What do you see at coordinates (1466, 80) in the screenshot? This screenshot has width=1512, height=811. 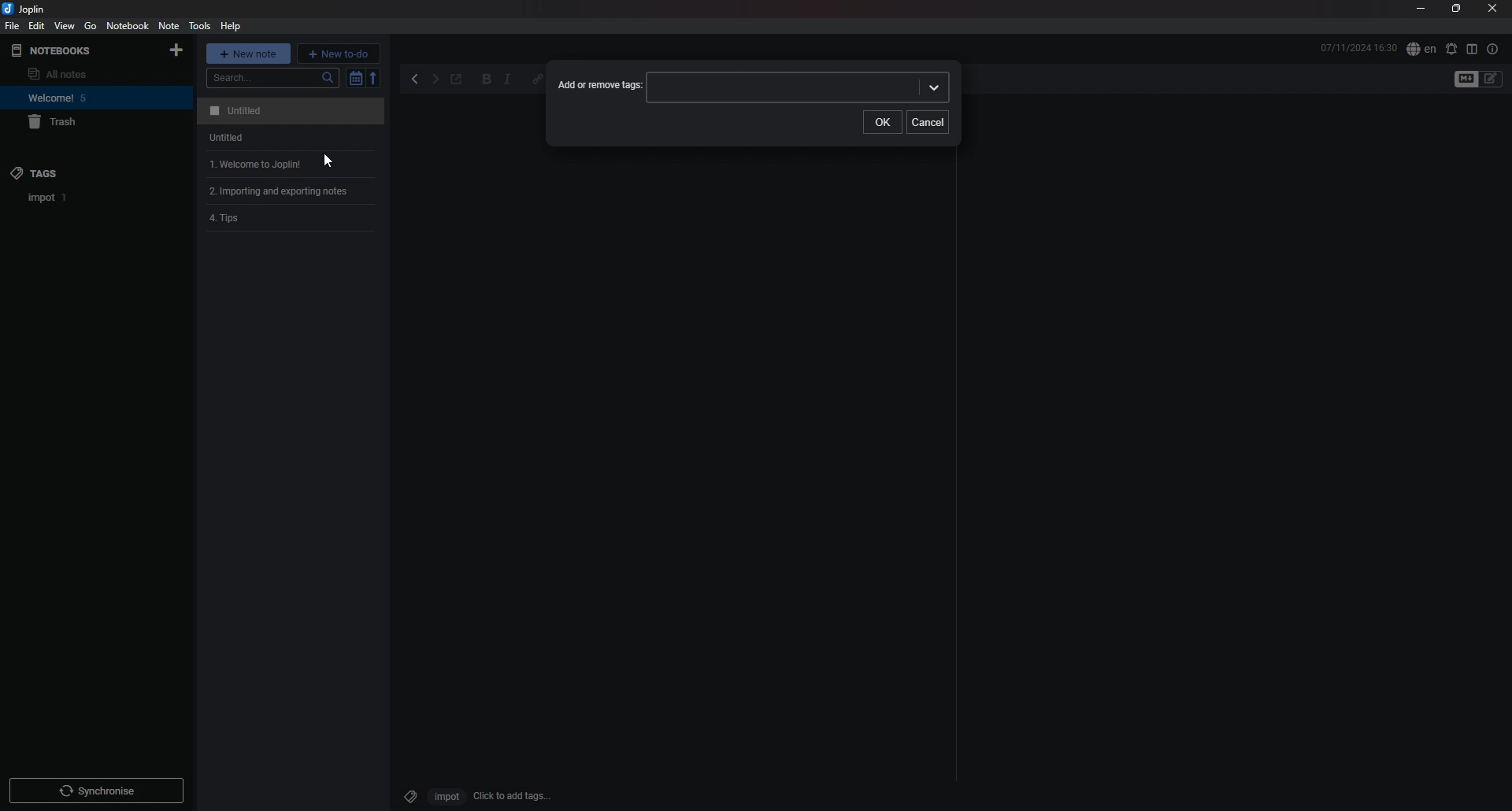 I see `toggle editors` at bounding box center [1466, 80].